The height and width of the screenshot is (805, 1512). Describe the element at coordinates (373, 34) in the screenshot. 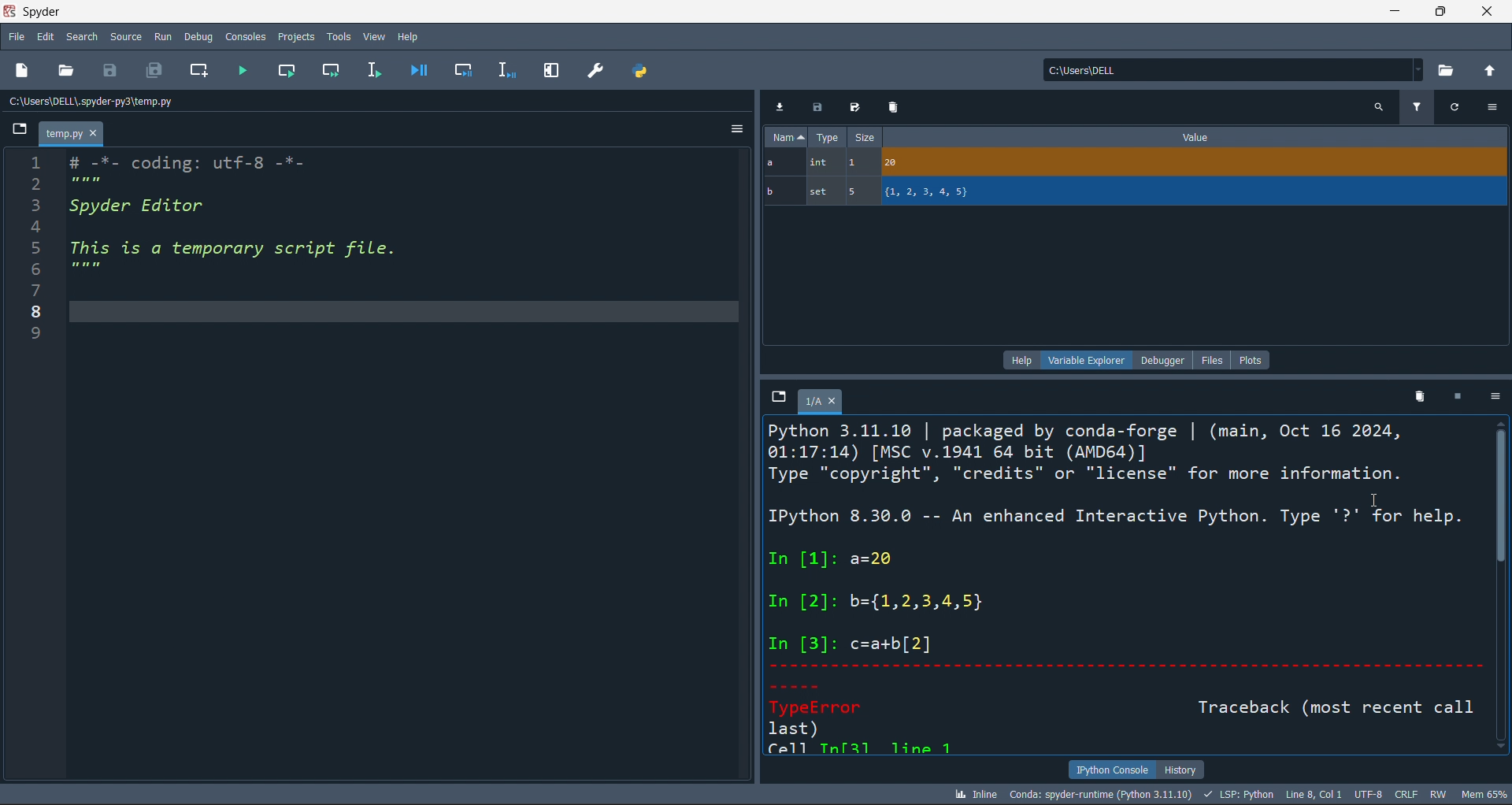

I see `view` at that location.